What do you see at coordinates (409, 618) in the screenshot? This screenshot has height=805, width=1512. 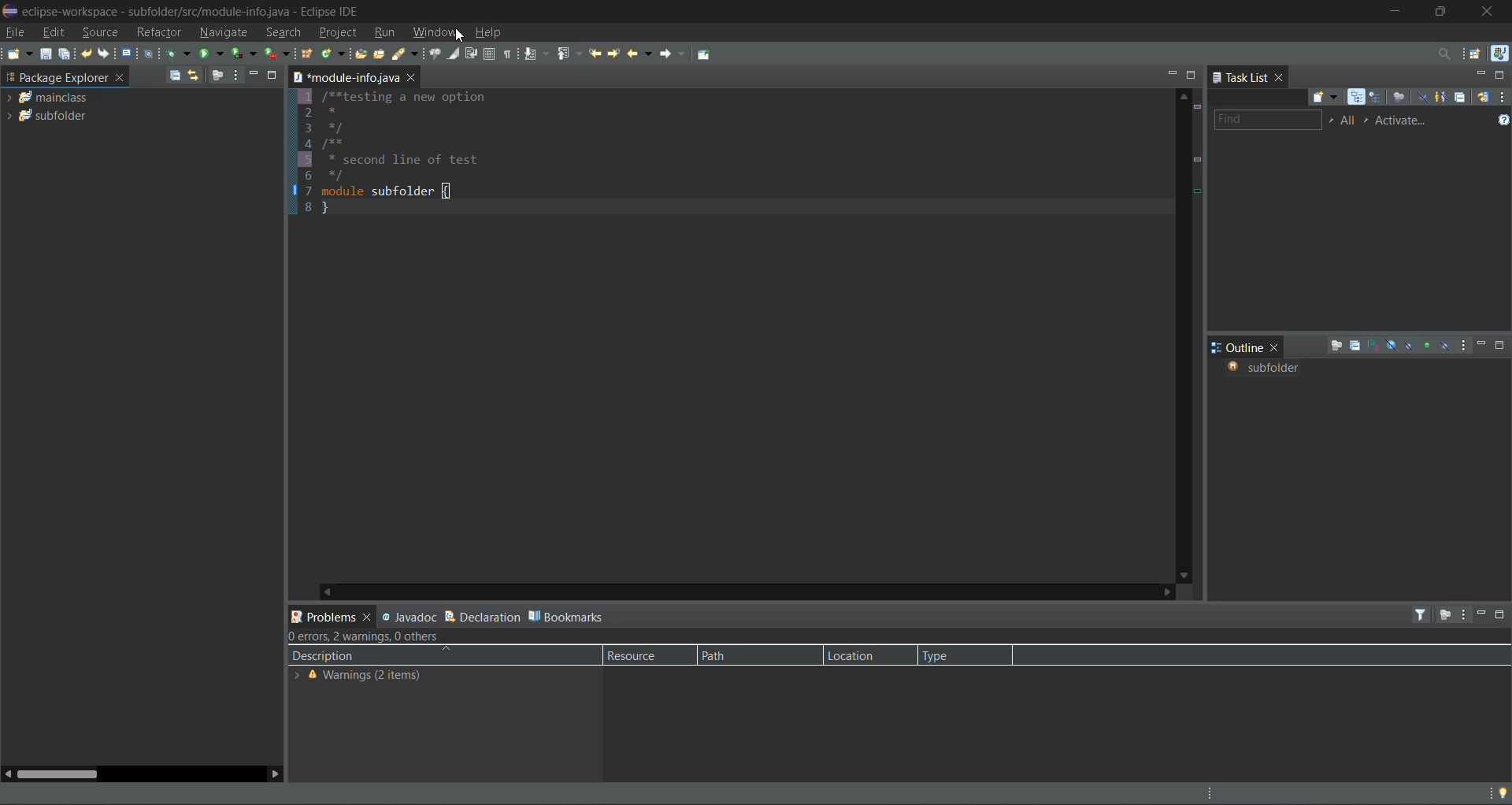 I see `javadoc` at bounding box center [409, 618].